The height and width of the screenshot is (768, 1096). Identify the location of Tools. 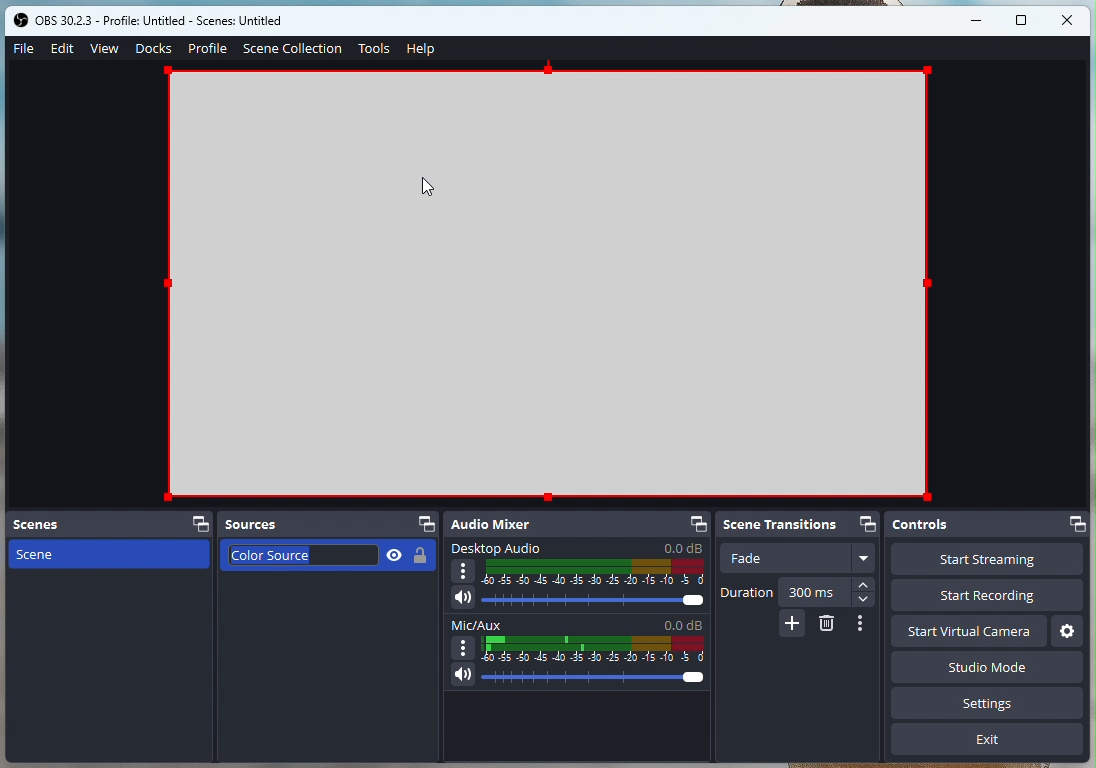
(374, 50).